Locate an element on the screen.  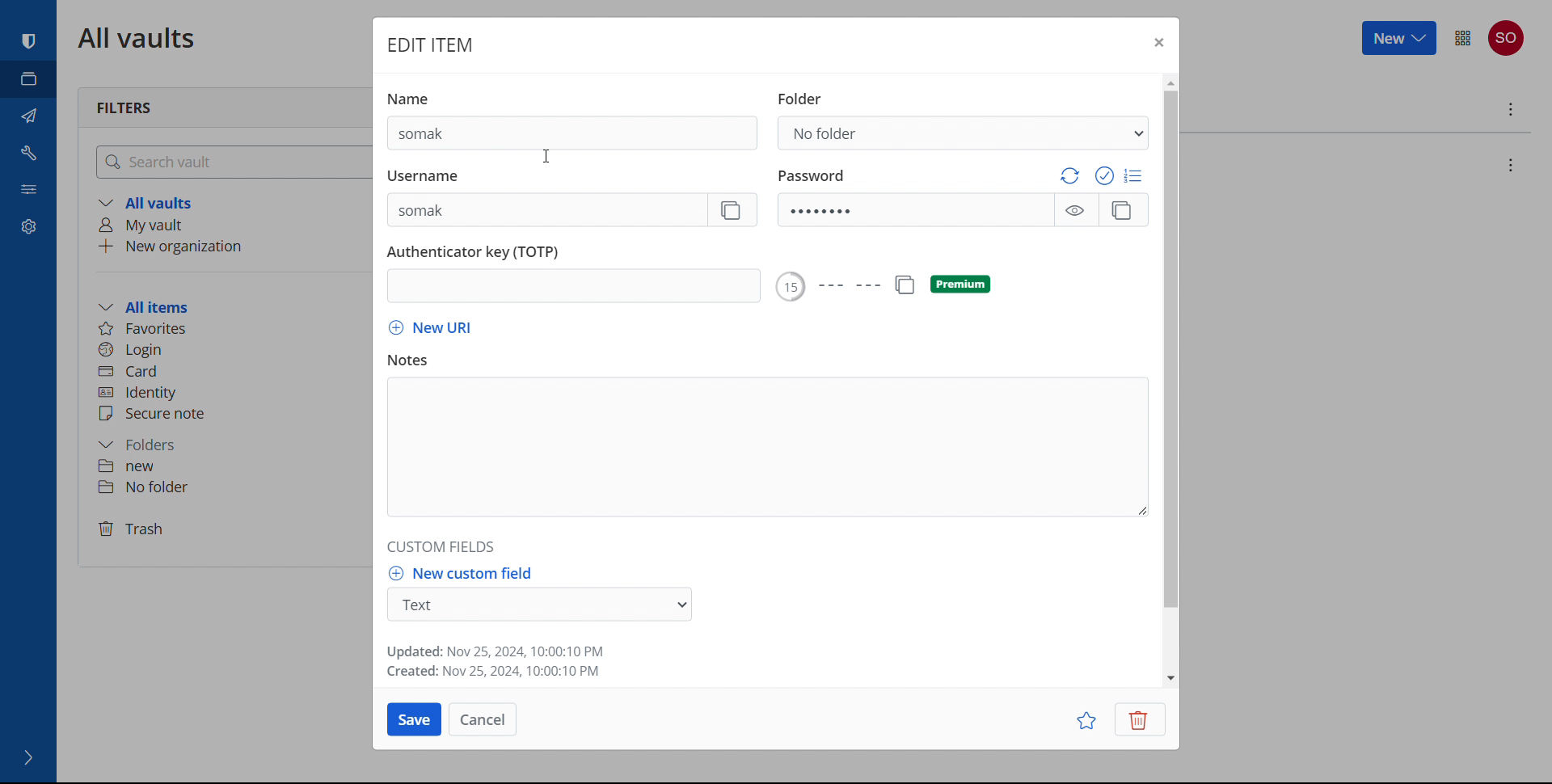
tools is located at coordinates (28, 152).